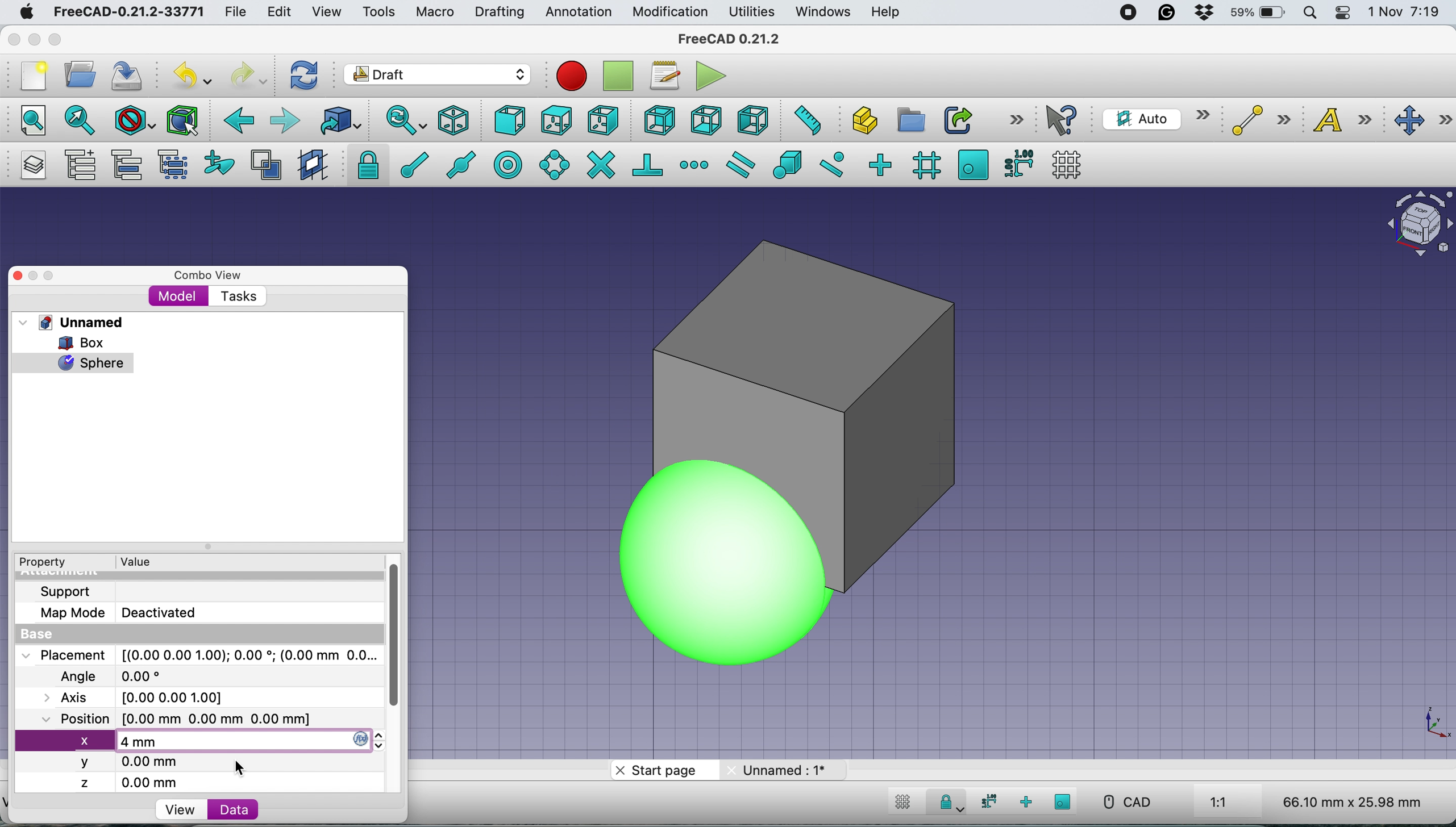  I want to click on object intersection, so click(1418, 222).